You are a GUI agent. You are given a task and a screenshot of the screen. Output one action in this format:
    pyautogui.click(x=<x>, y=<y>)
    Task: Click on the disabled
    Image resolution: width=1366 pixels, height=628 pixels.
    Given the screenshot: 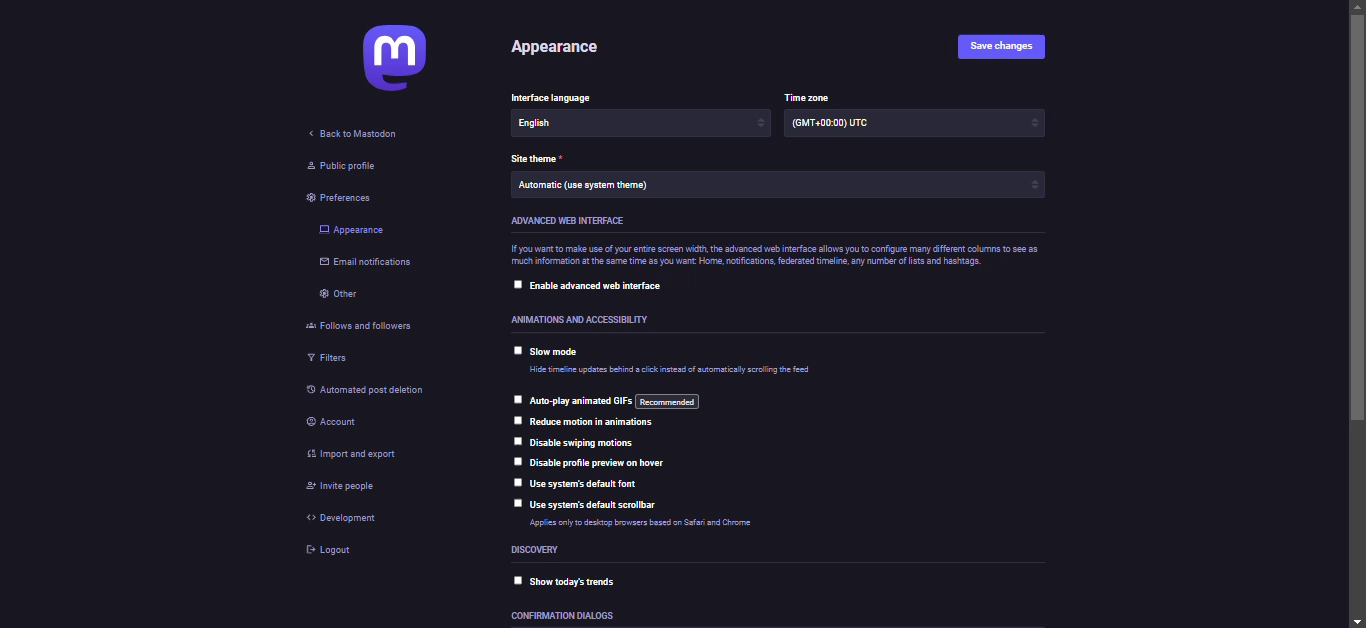 What is the action you would take?
    pyautogui.click(x=517, y=579)
    